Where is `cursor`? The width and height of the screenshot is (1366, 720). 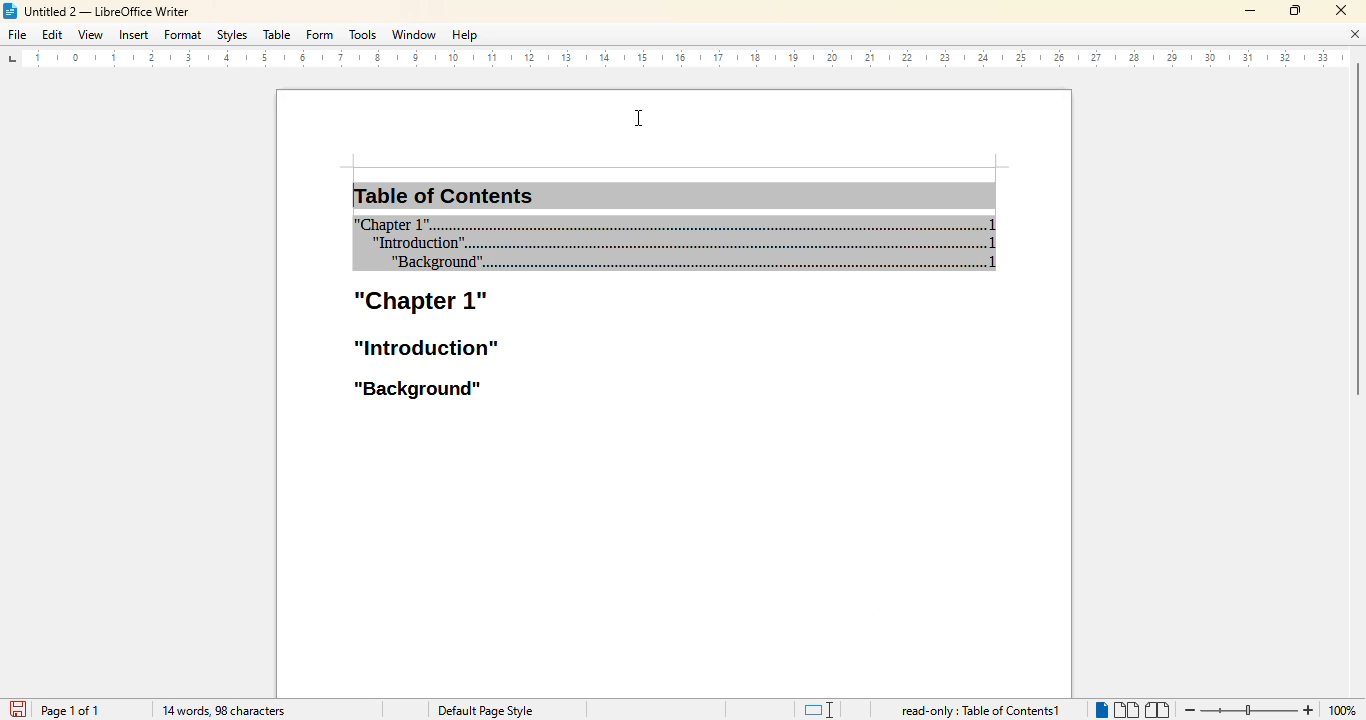
cursor is located at coordinates (639, 118).